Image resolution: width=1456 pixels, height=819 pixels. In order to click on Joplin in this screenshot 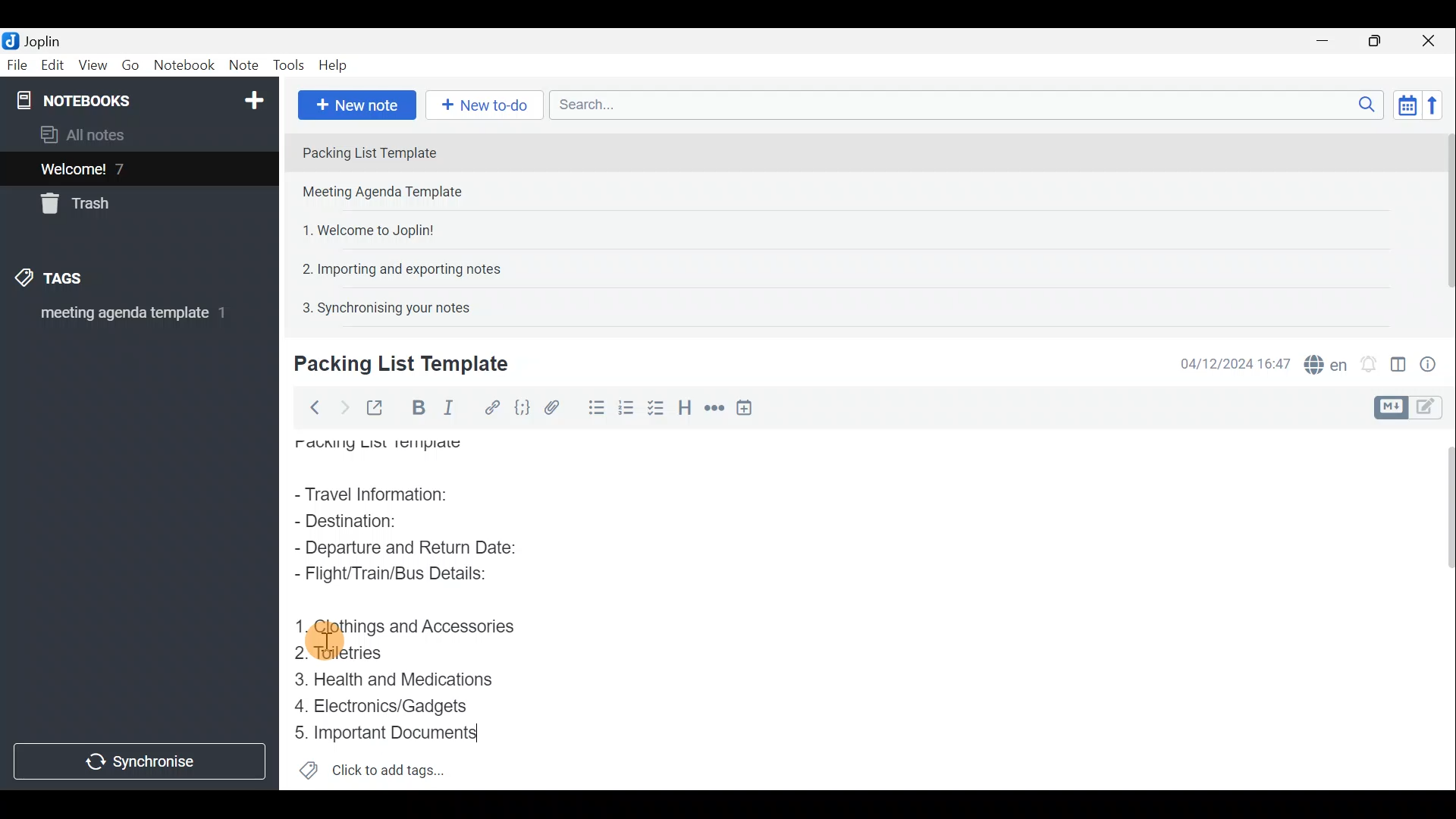, I will do `click(36, 40)`.